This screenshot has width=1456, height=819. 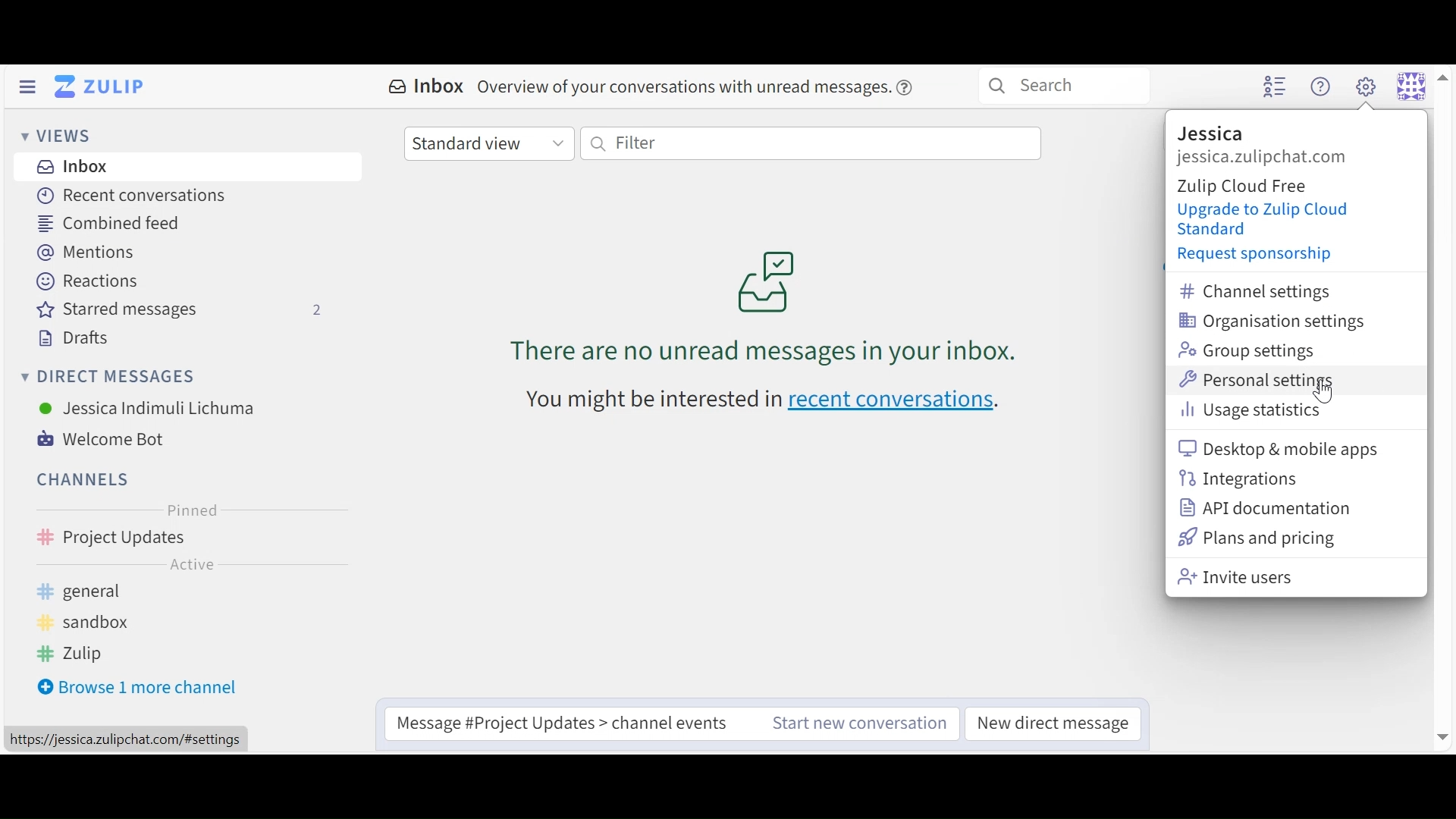 I want to click on Main menu, so click(x=1367, y=87).